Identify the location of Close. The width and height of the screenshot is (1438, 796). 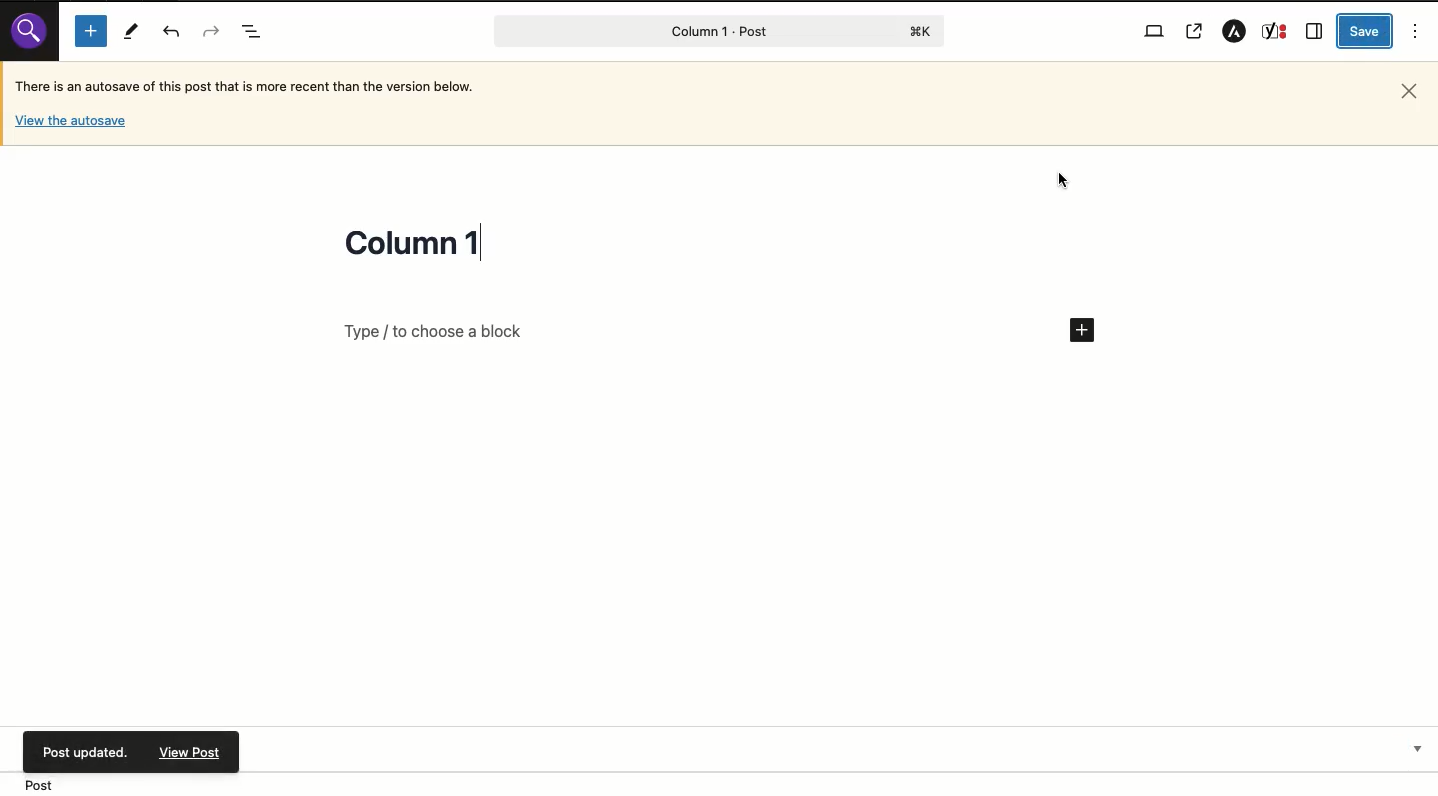
(1406, 92).